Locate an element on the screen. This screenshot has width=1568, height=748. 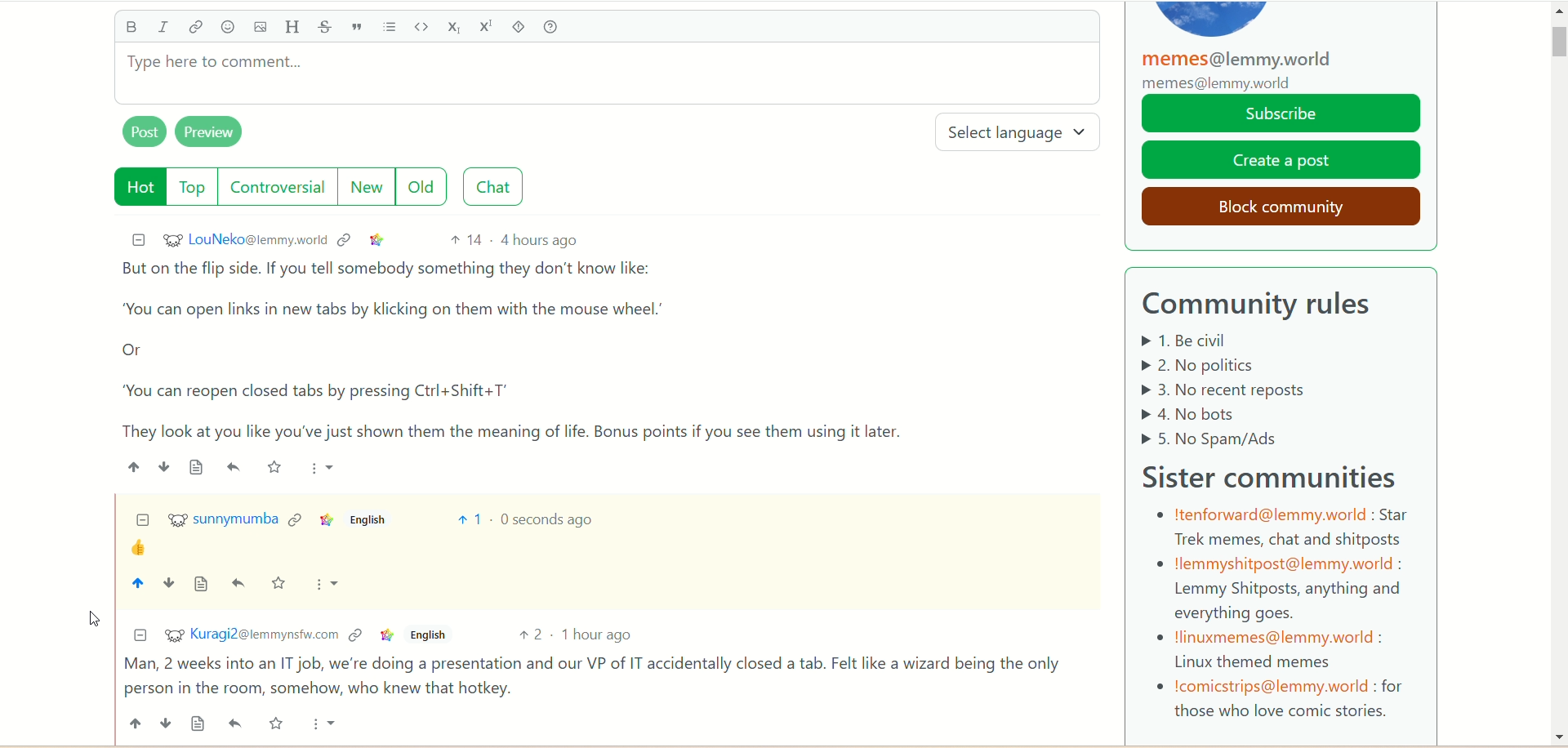
upvote is located at coordinates (134, 466).